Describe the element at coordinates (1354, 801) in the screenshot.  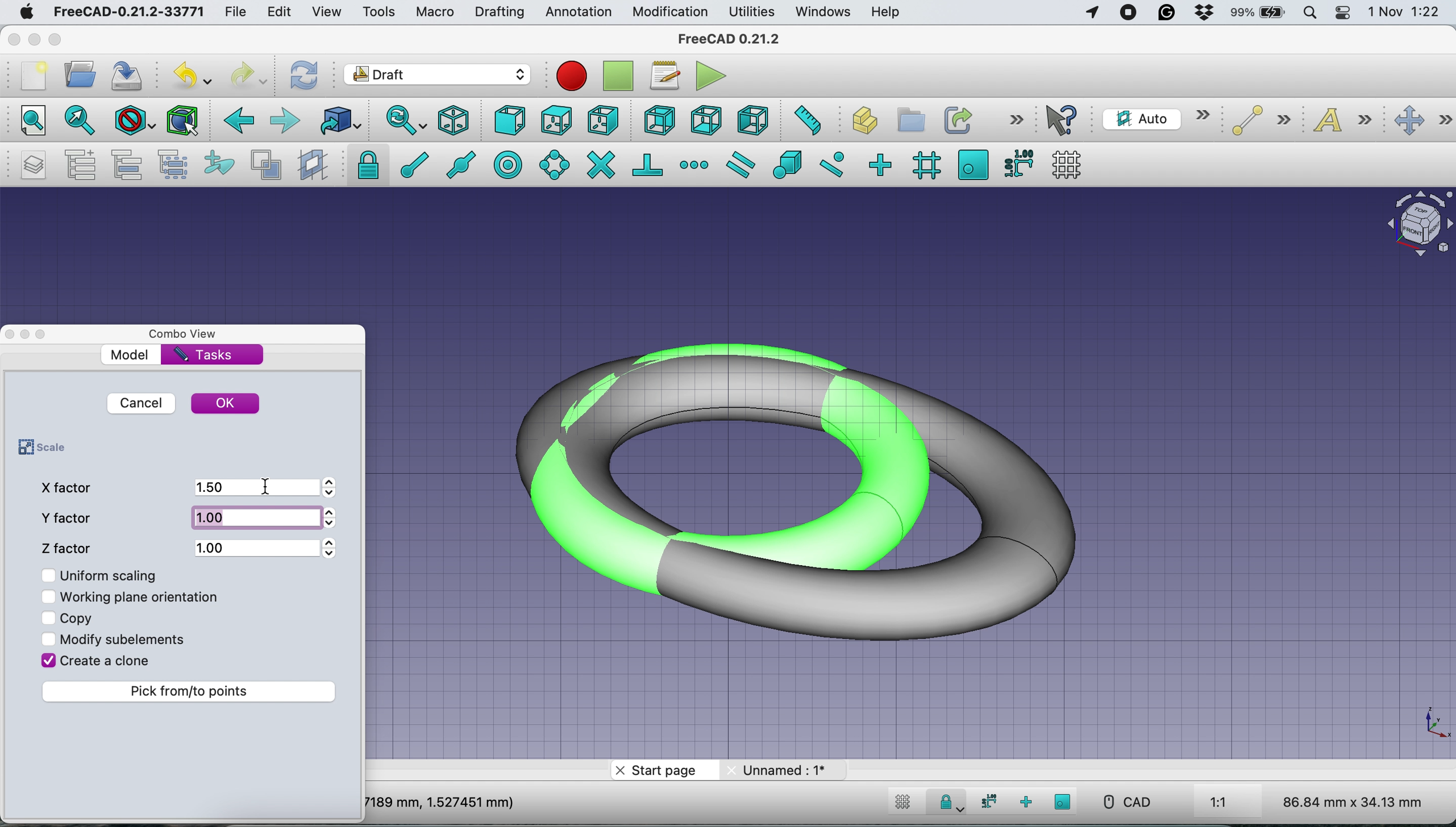
I see `86.84 mm x 34.13 mm` at that location.